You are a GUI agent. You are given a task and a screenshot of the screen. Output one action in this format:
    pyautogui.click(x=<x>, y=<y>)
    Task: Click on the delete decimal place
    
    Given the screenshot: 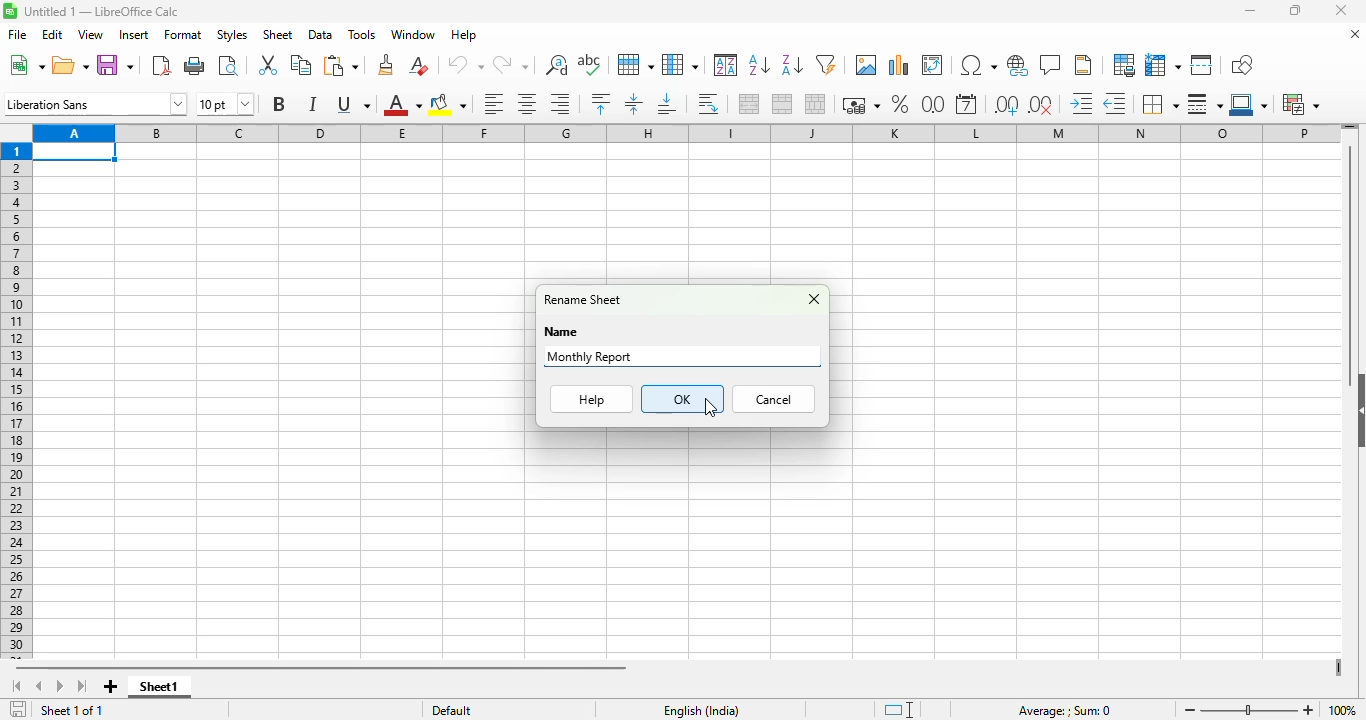 What is the action you would take?
    pyautogui.click(x=1042, y=105)
    